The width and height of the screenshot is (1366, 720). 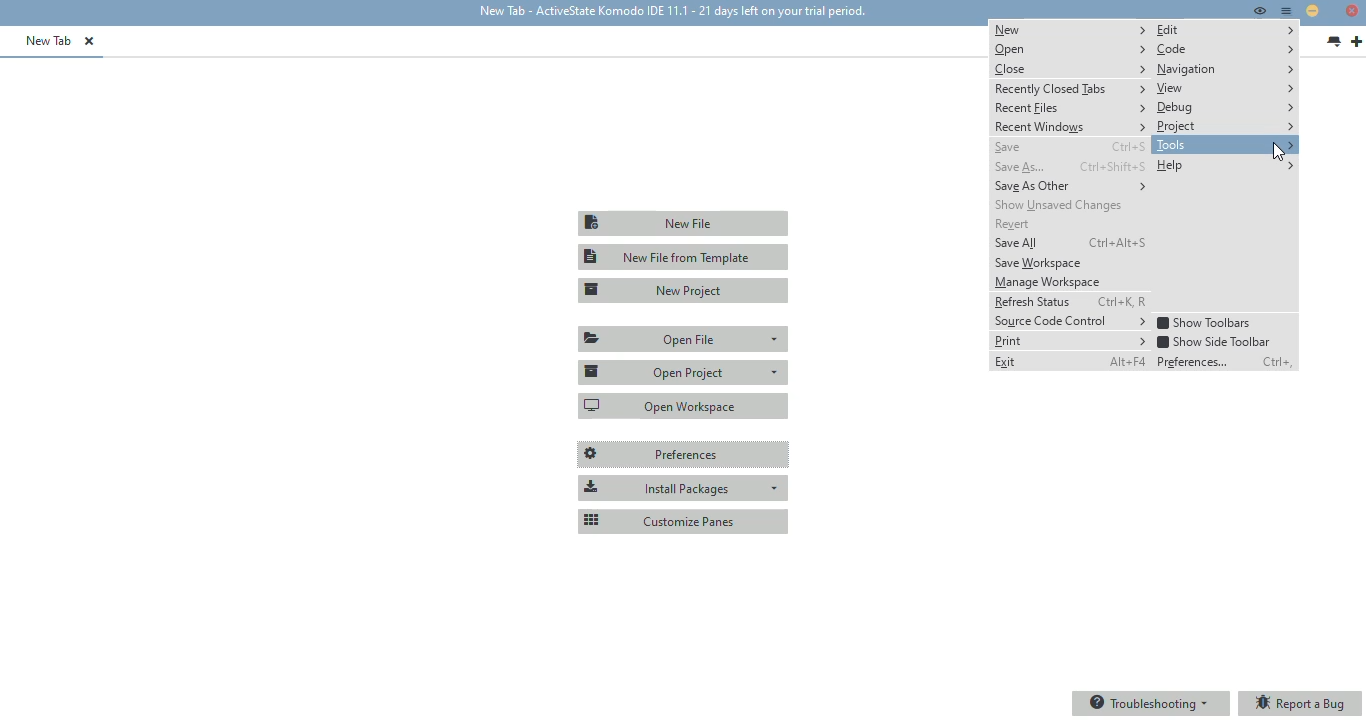 What do you see at coordinates (1312, 10) in the screenshot?
I see `minimize` at bounding box center [1312, 10].